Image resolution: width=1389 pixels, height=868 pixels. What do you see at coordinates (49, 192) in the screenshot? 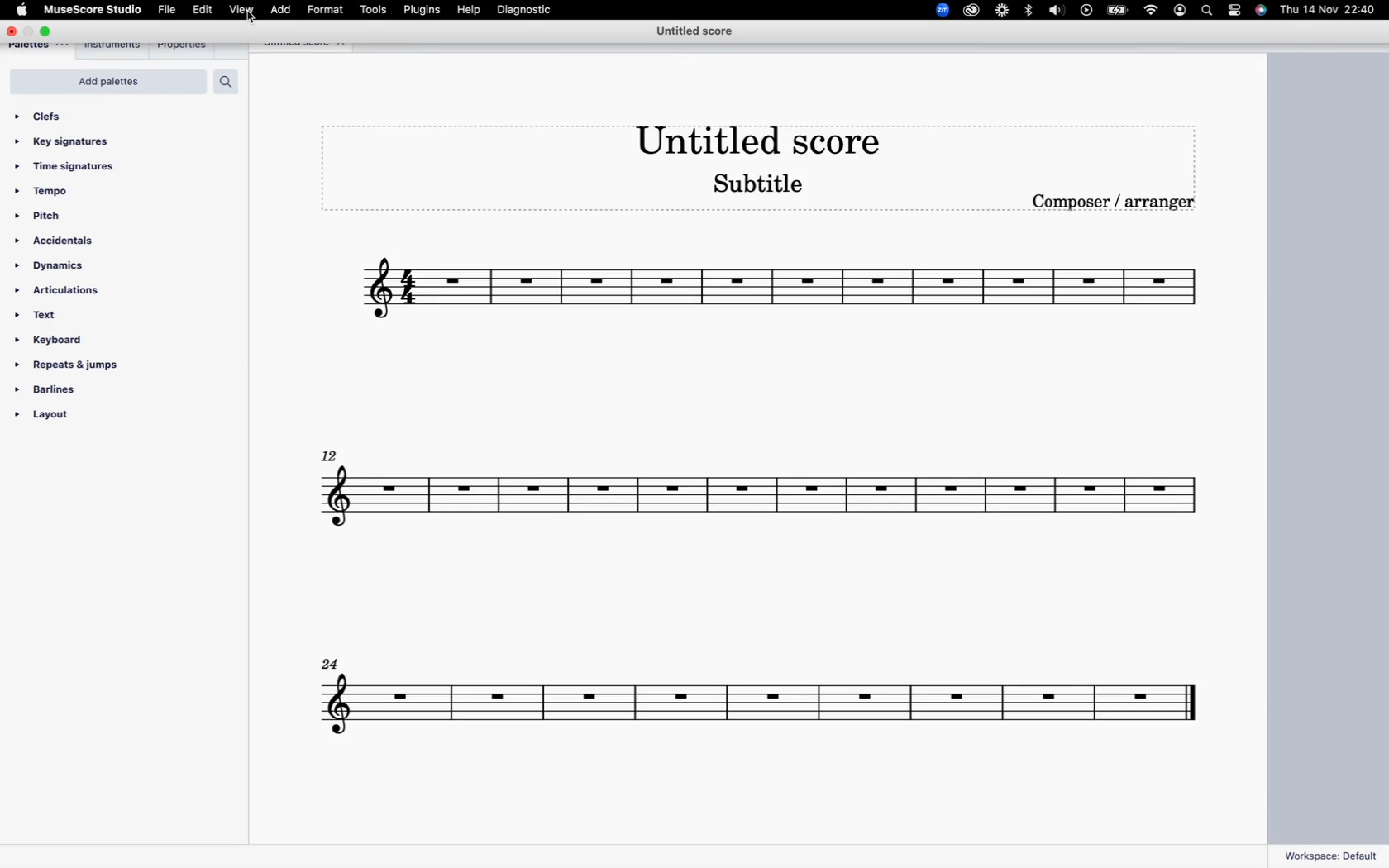
I see `tempo` at bounding box center [49, 192].